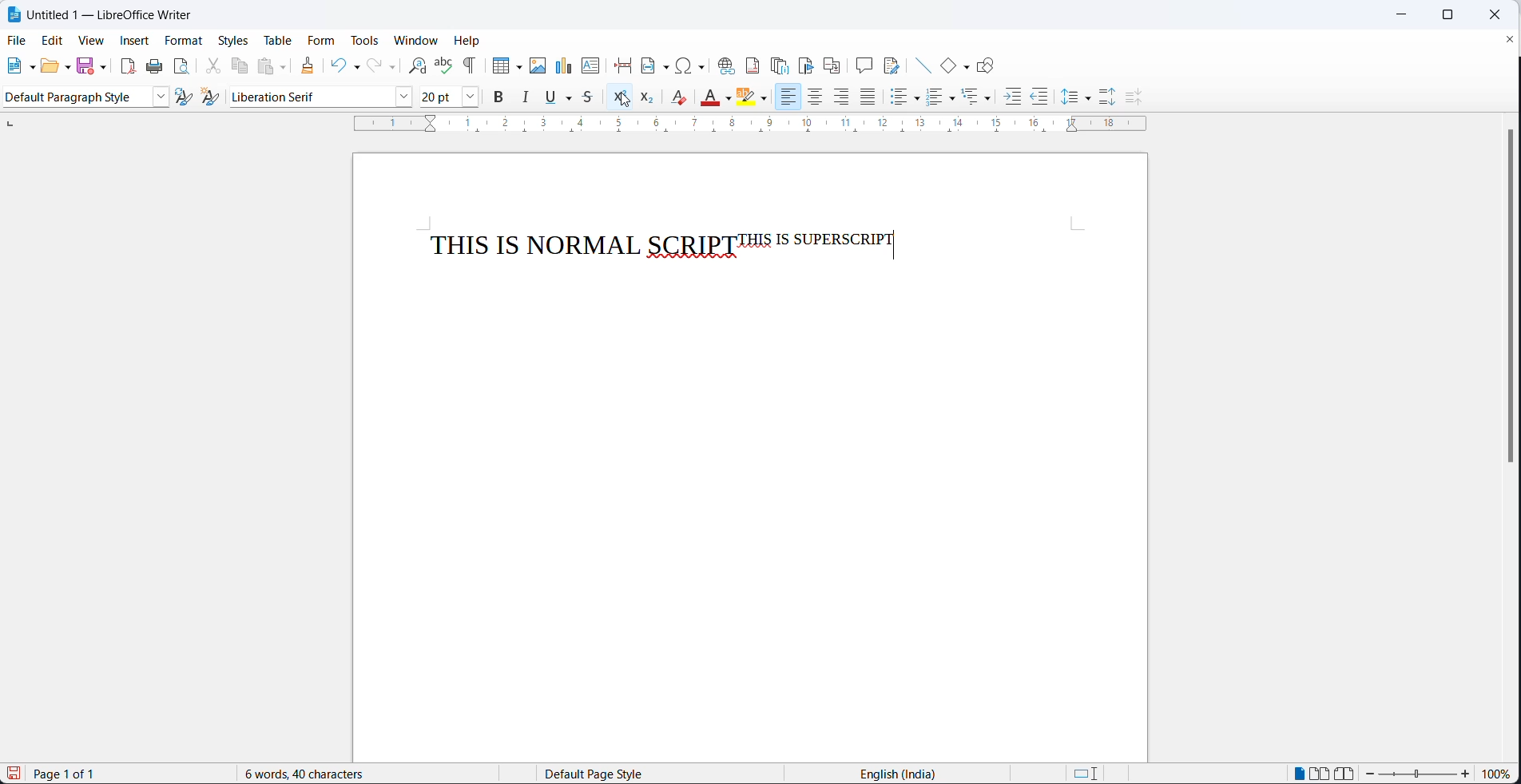 The height and width of the screenshot is (784, 1521). I want to click on new file options, so click(29, 65).